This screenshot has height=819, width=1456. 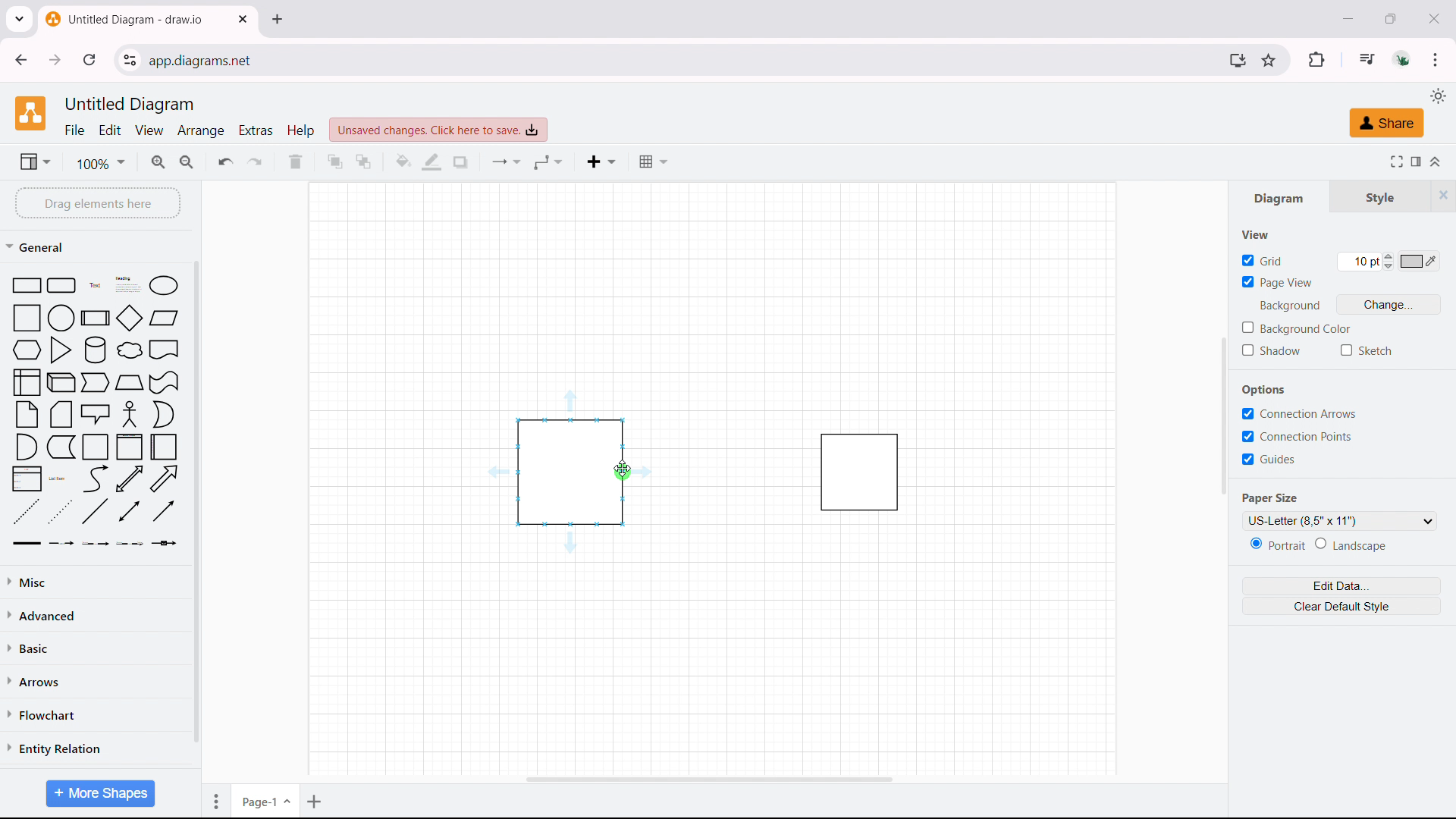 What do you see at coordinates (99, 793) in the screenshot?
I see `more shapes` at bounding box center [99, 793].